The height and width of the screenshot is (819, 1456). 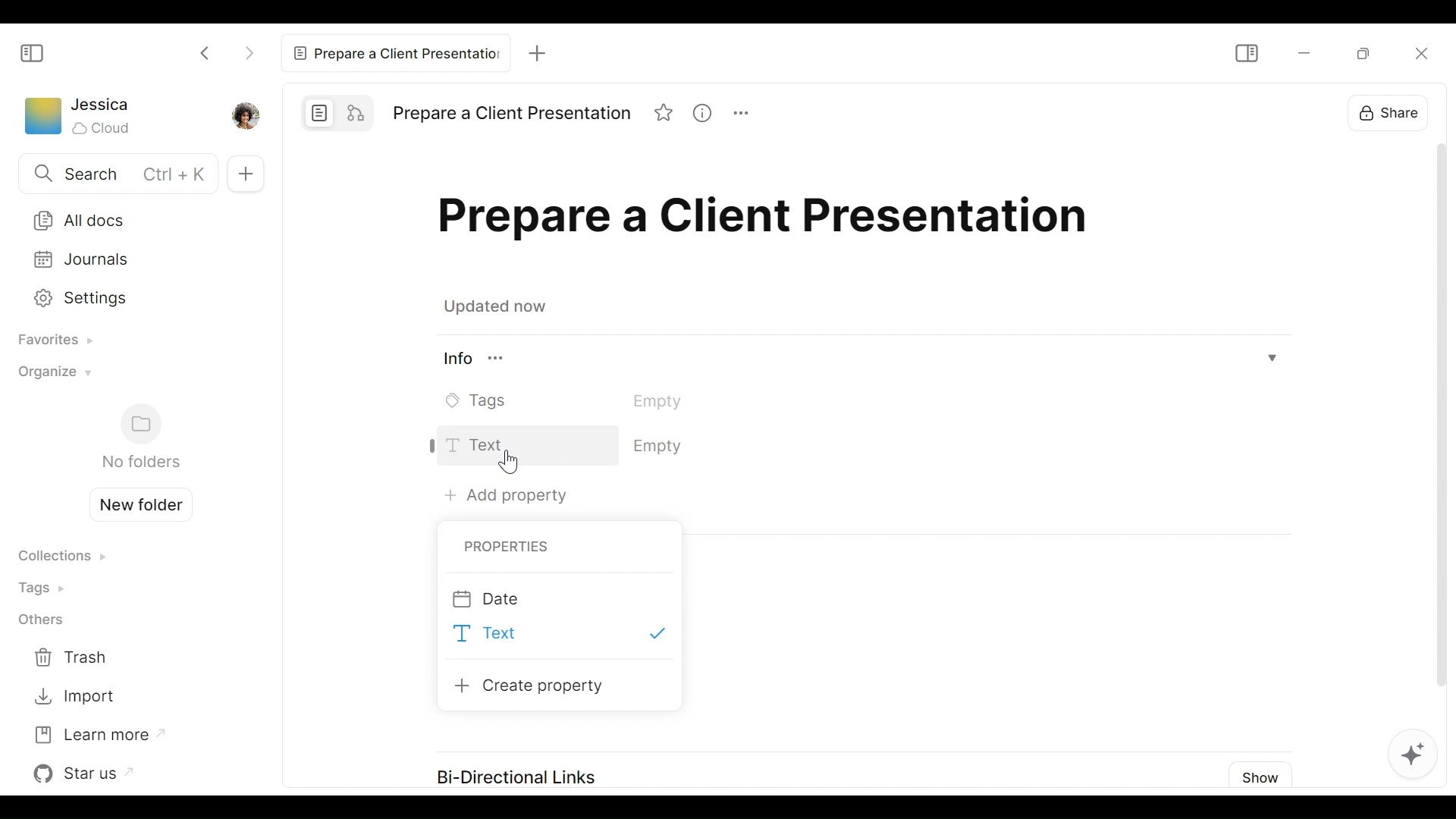 I want to click on Show/Hide Sidebar, so click(x=33, y=52).